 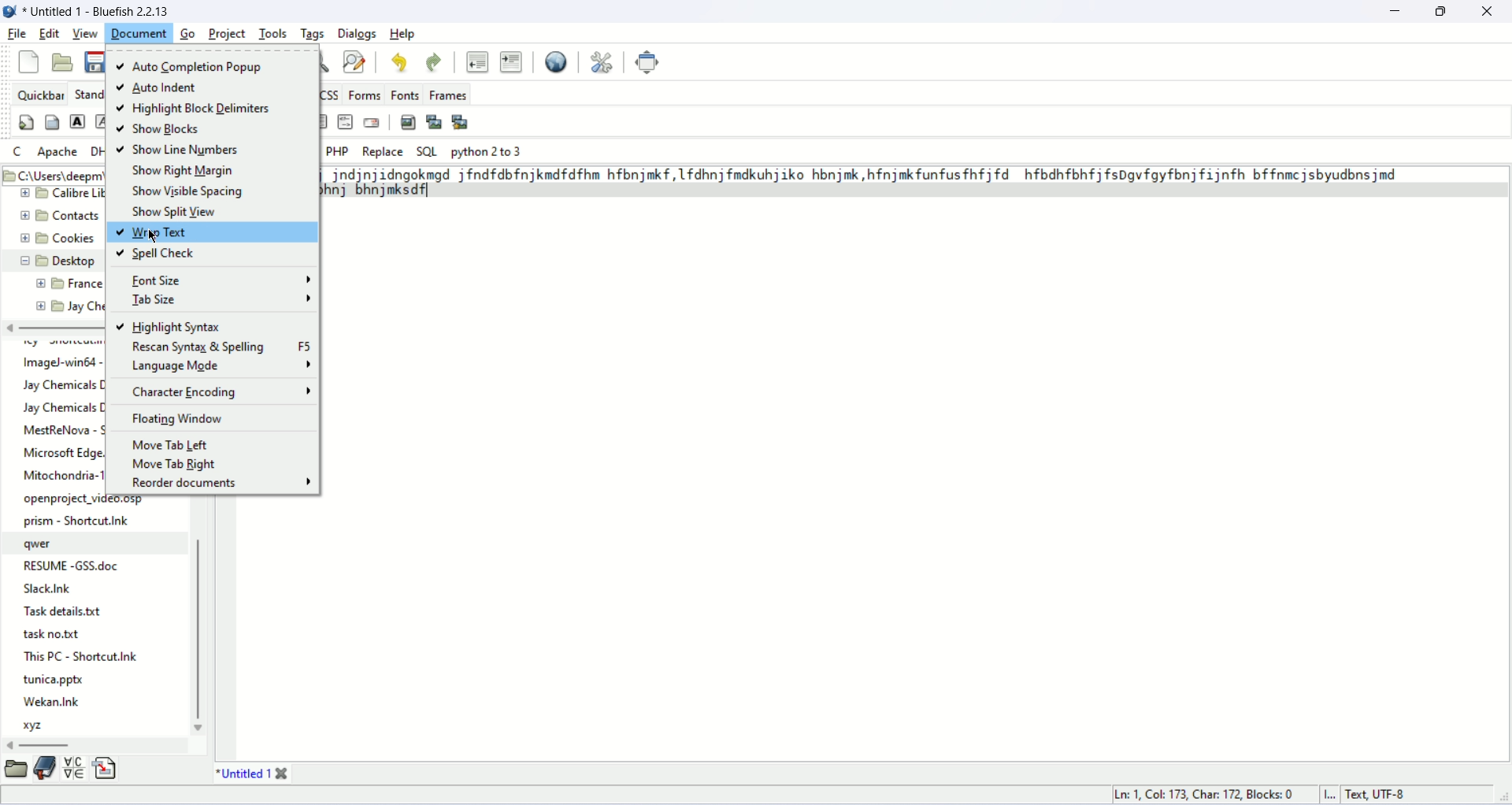 I want to click on Ln: 1, Col: 173, Char: 172, Blocks: 0, so click(x=1201, y=792).